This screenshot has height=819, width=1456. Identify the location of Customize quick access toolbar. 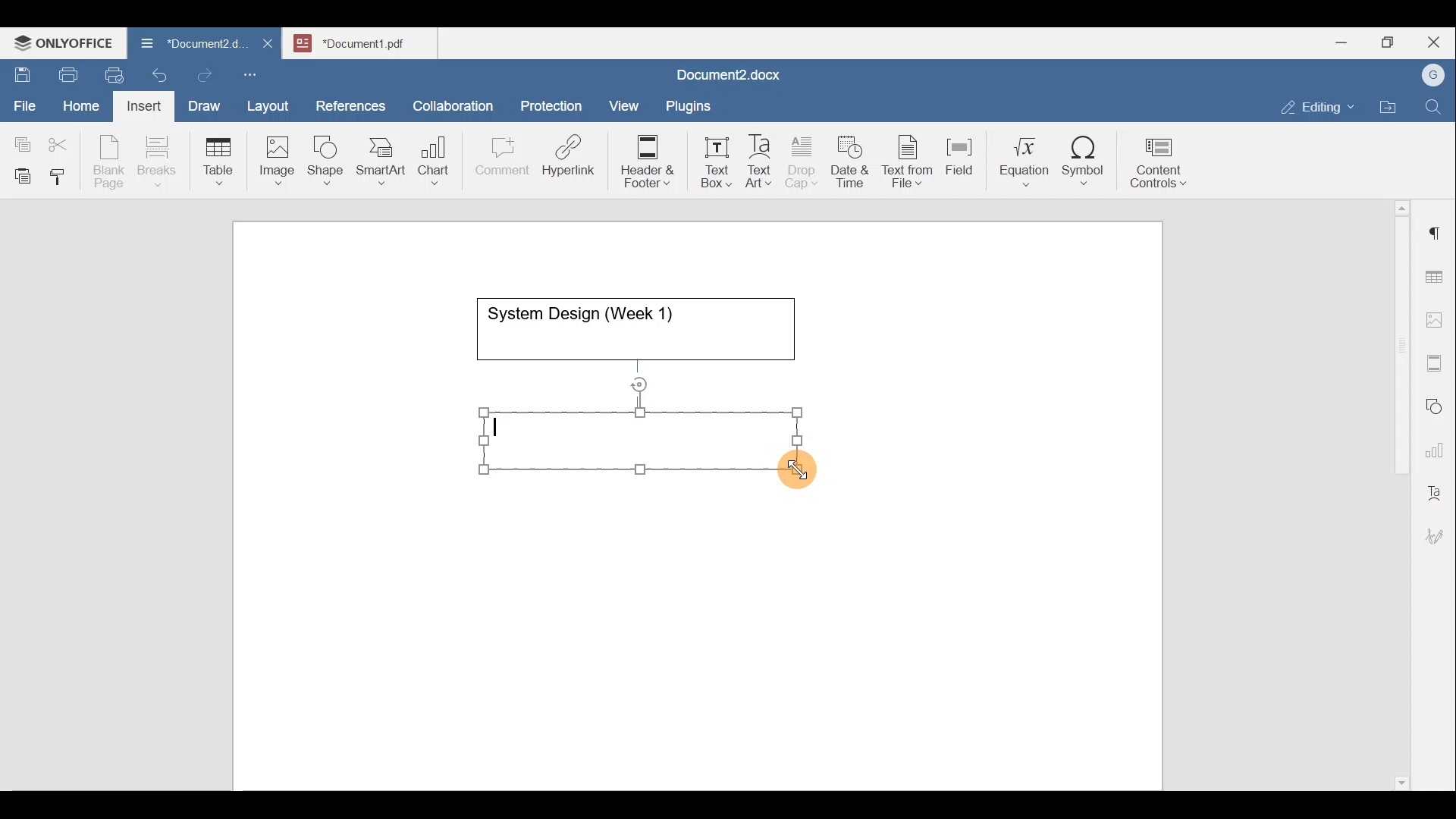
(256, 72).